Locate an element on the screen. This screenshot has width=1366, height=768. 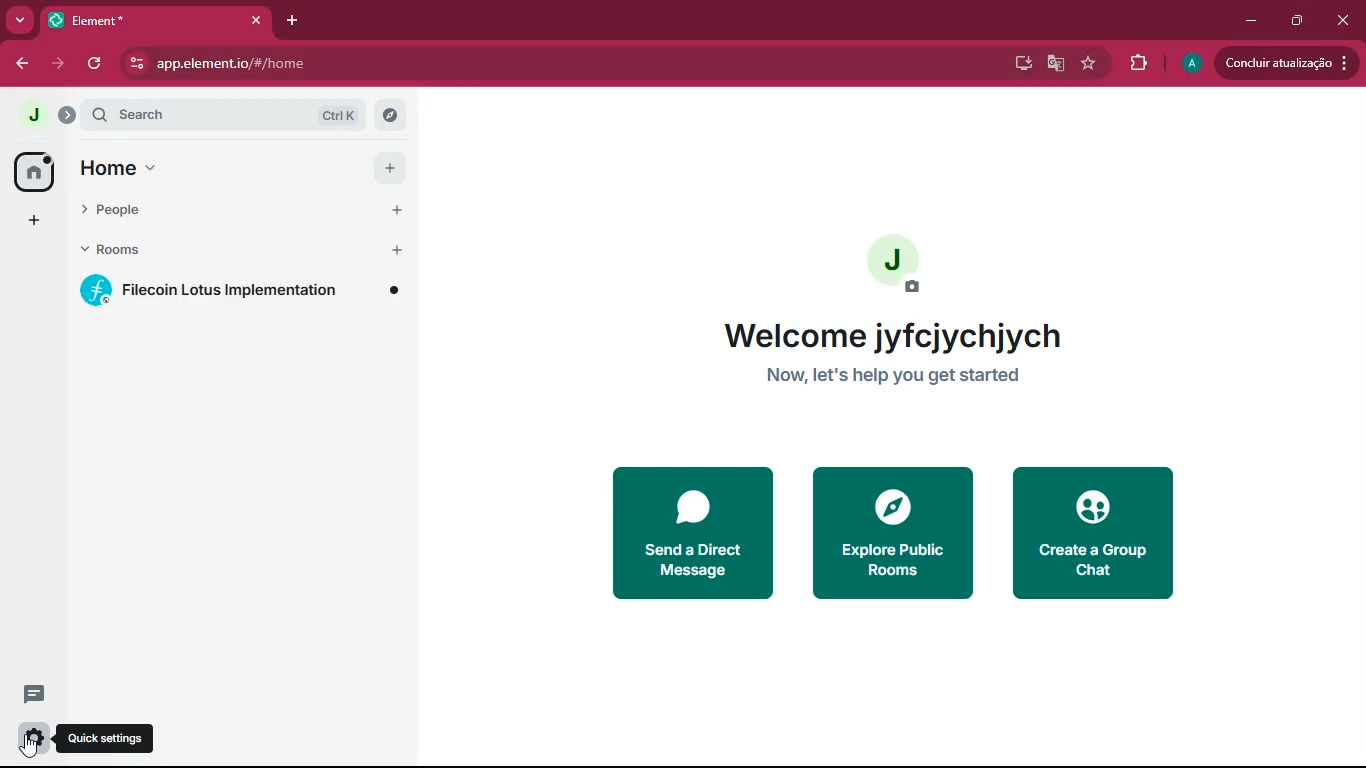
home is located at coordinates (120, 167).